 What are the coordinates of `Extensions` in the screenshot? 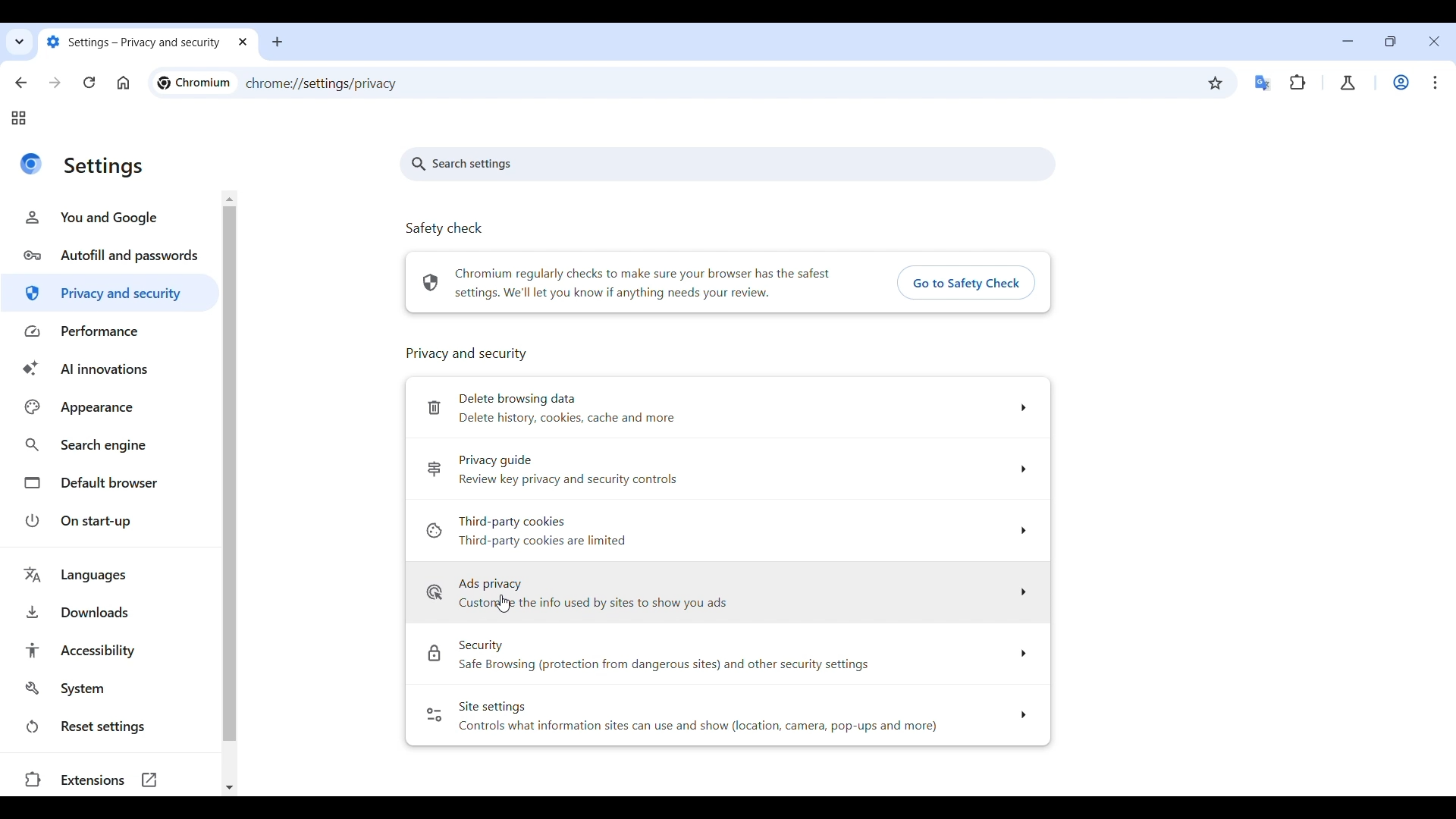 It's located at (1298, 82).